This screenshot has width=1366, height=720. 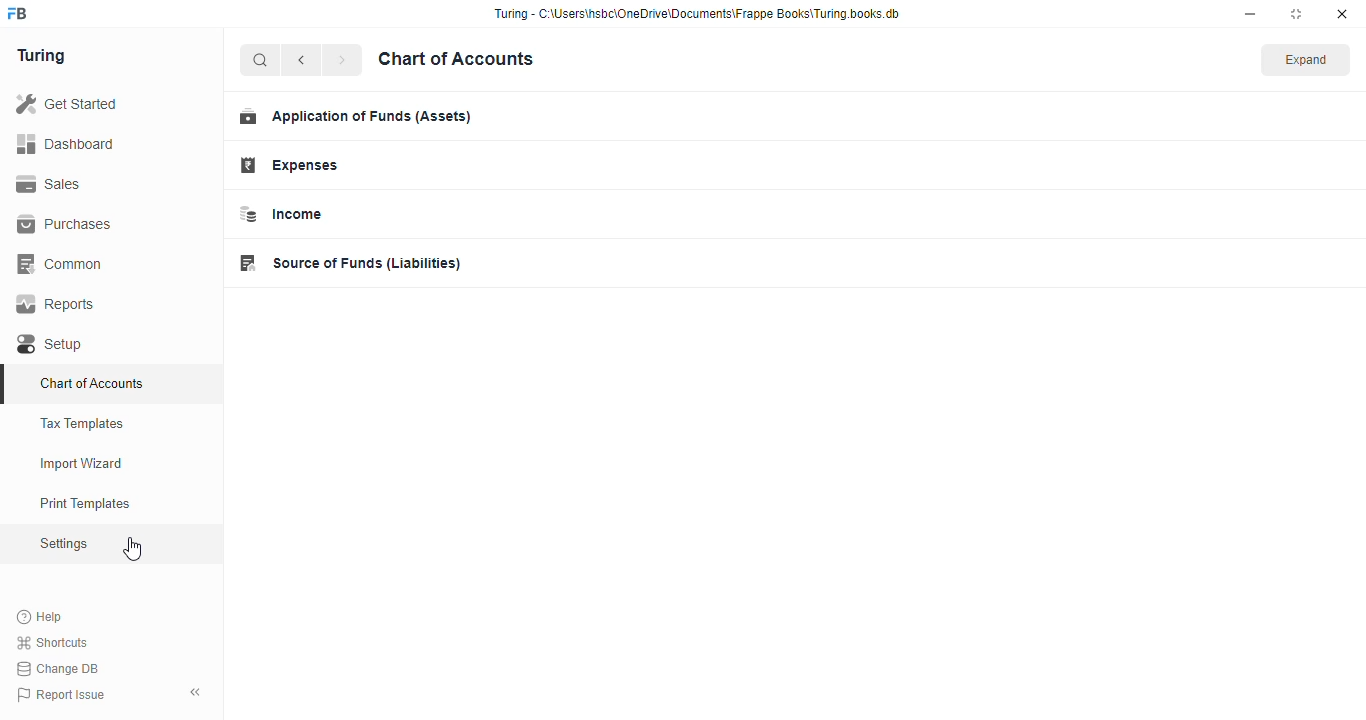 I want to click on FB-logo, so click(x=17, y=13).